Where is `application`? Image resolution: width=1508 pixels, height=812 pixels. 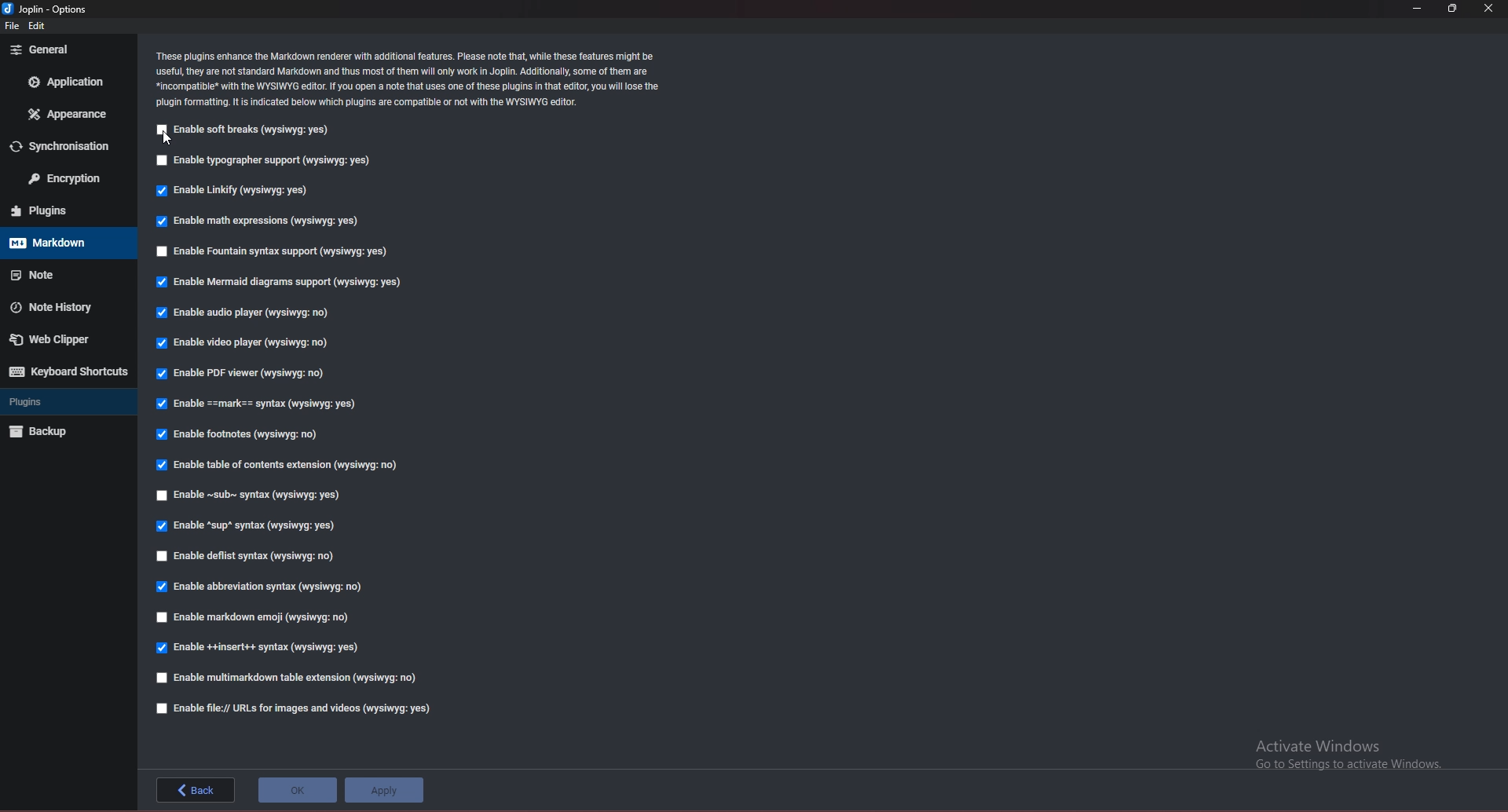 application is located at coordinates (68, 82).